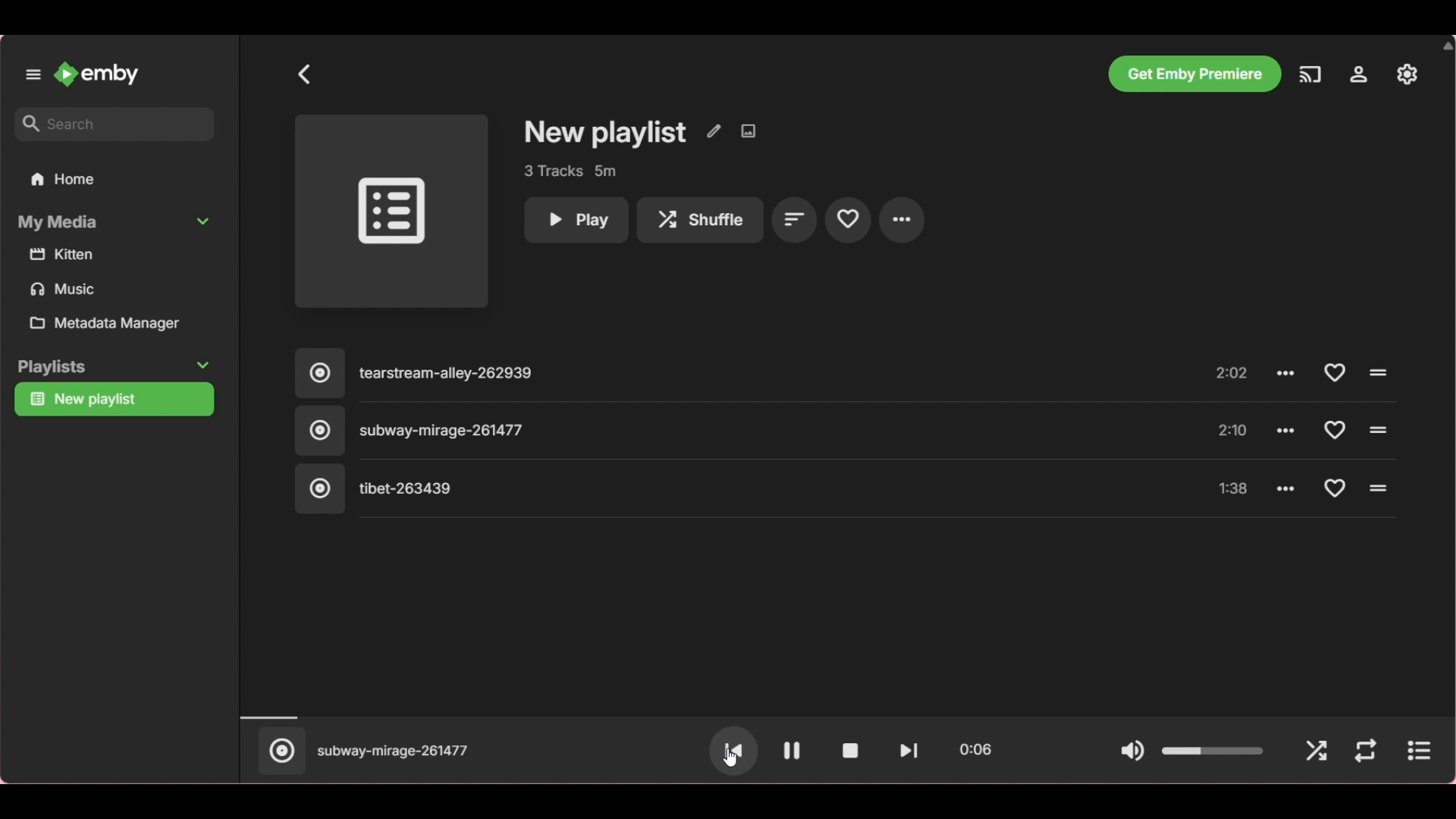 The image size is (1456, 819). Describe the element at coordinates (391, 212) in the screenshot. I see `Click to play entire playlist` at that location.